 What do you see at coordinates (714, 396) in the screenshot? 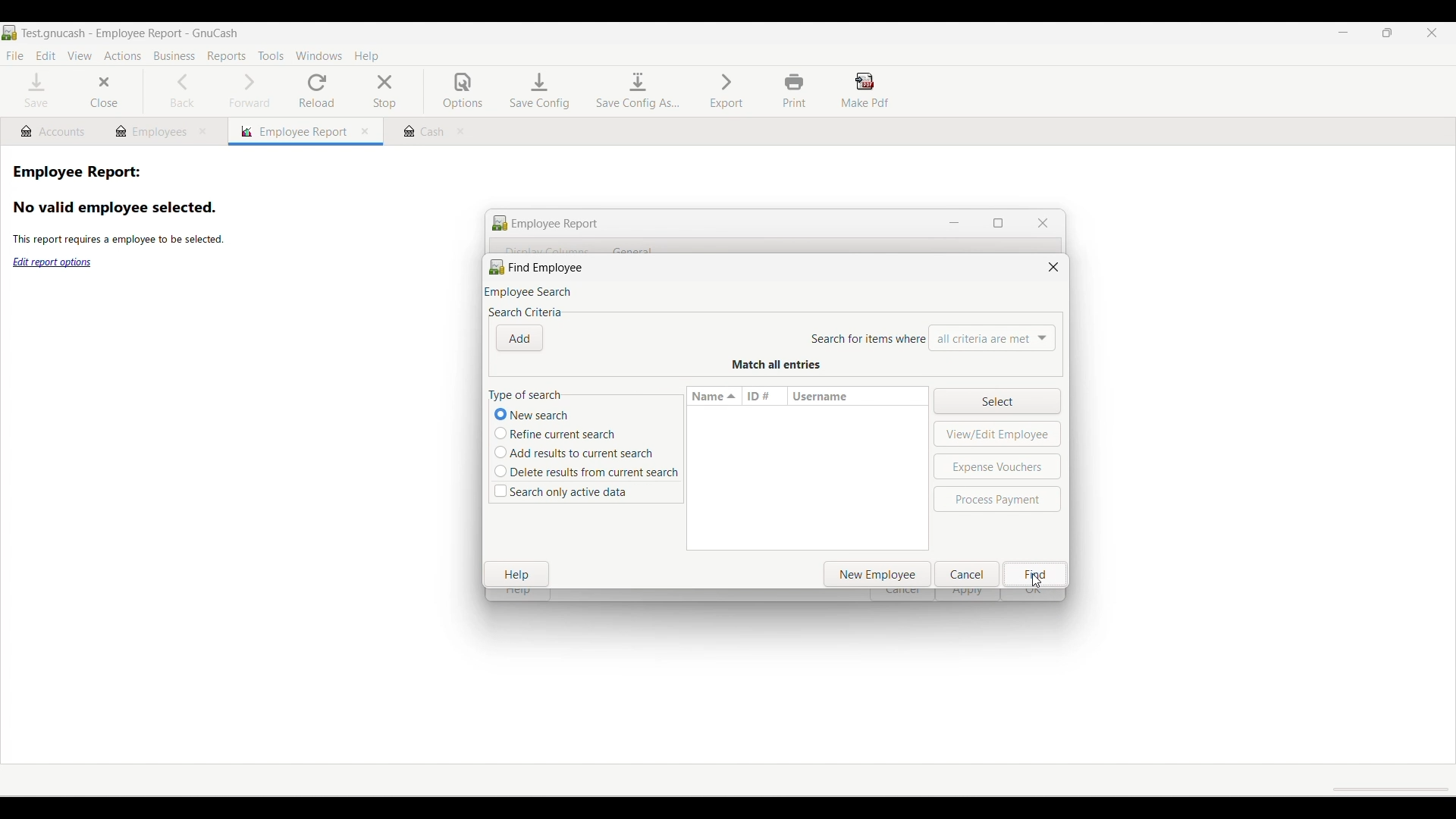
I see `Column to sort list of employees by name` at bounding box center [714, 396].